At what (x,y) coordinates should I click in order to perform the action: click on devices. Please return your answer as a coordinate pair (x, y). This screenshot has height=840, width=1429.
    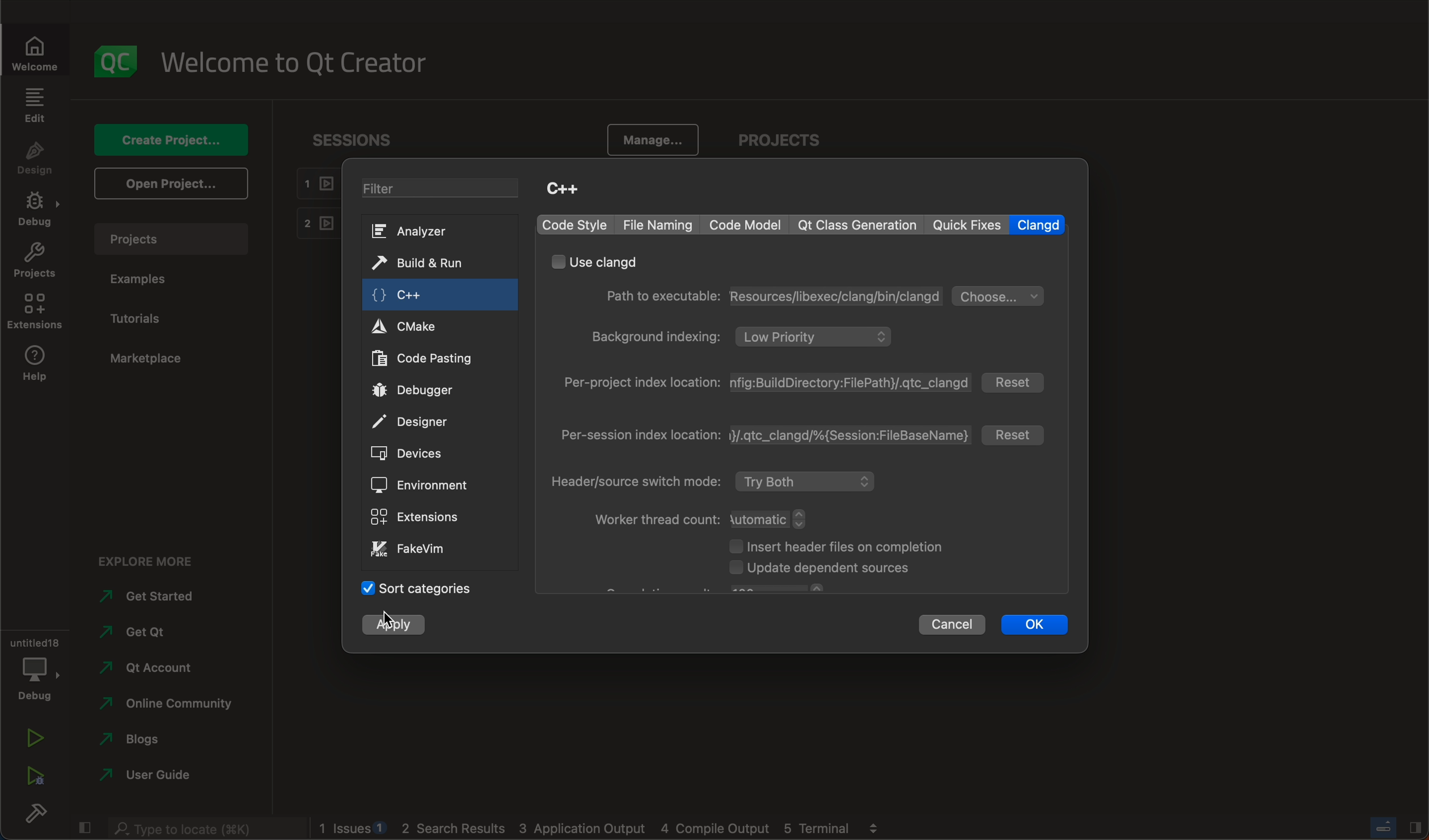
    Looking at the image, I should click on (422, 264).